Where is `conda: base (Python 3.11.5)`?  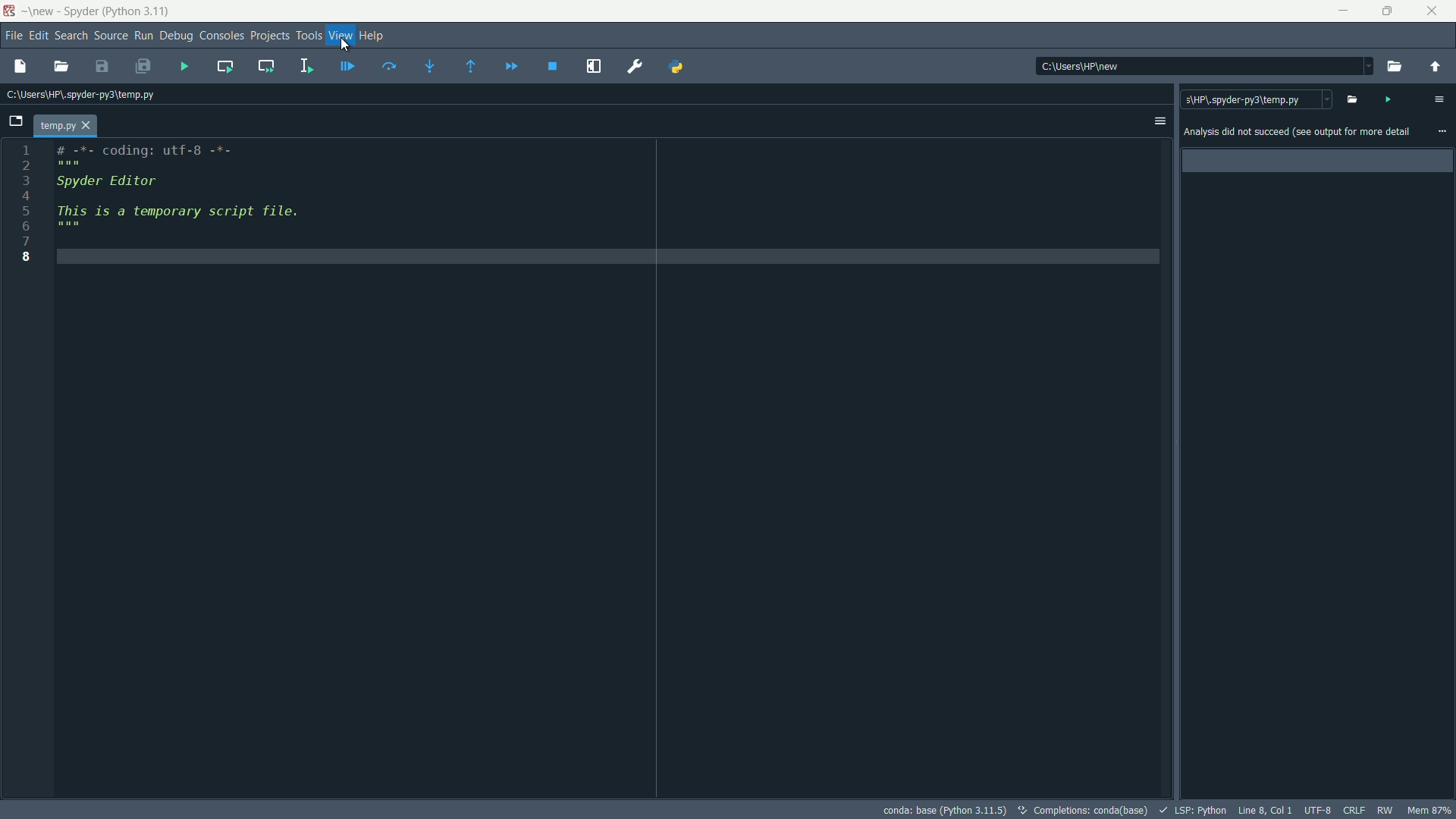
conda: base (Python 3.11.5) is located at coordinates (943, 809).